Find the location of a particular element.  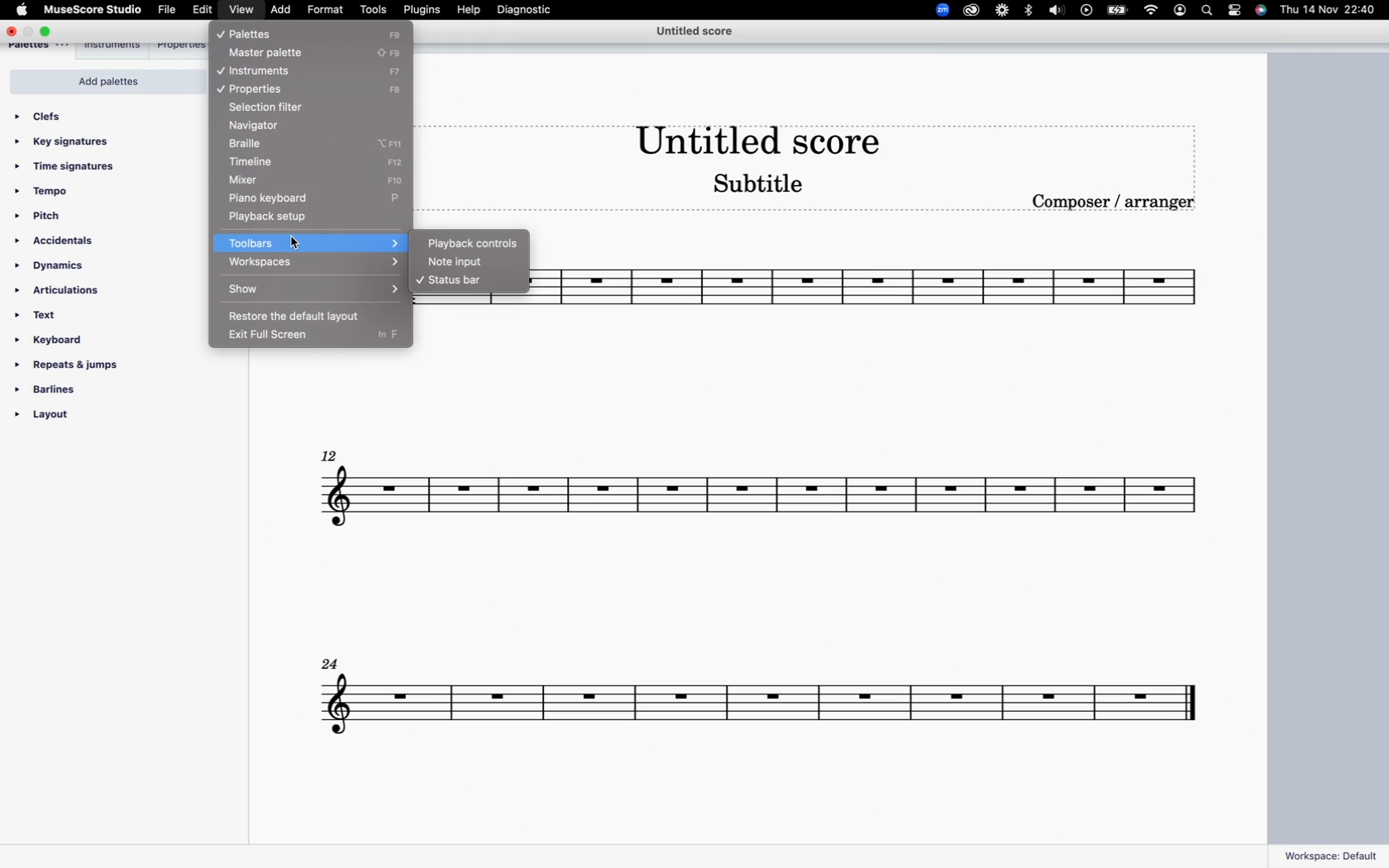

sound is located at coordinates (1057, 12).